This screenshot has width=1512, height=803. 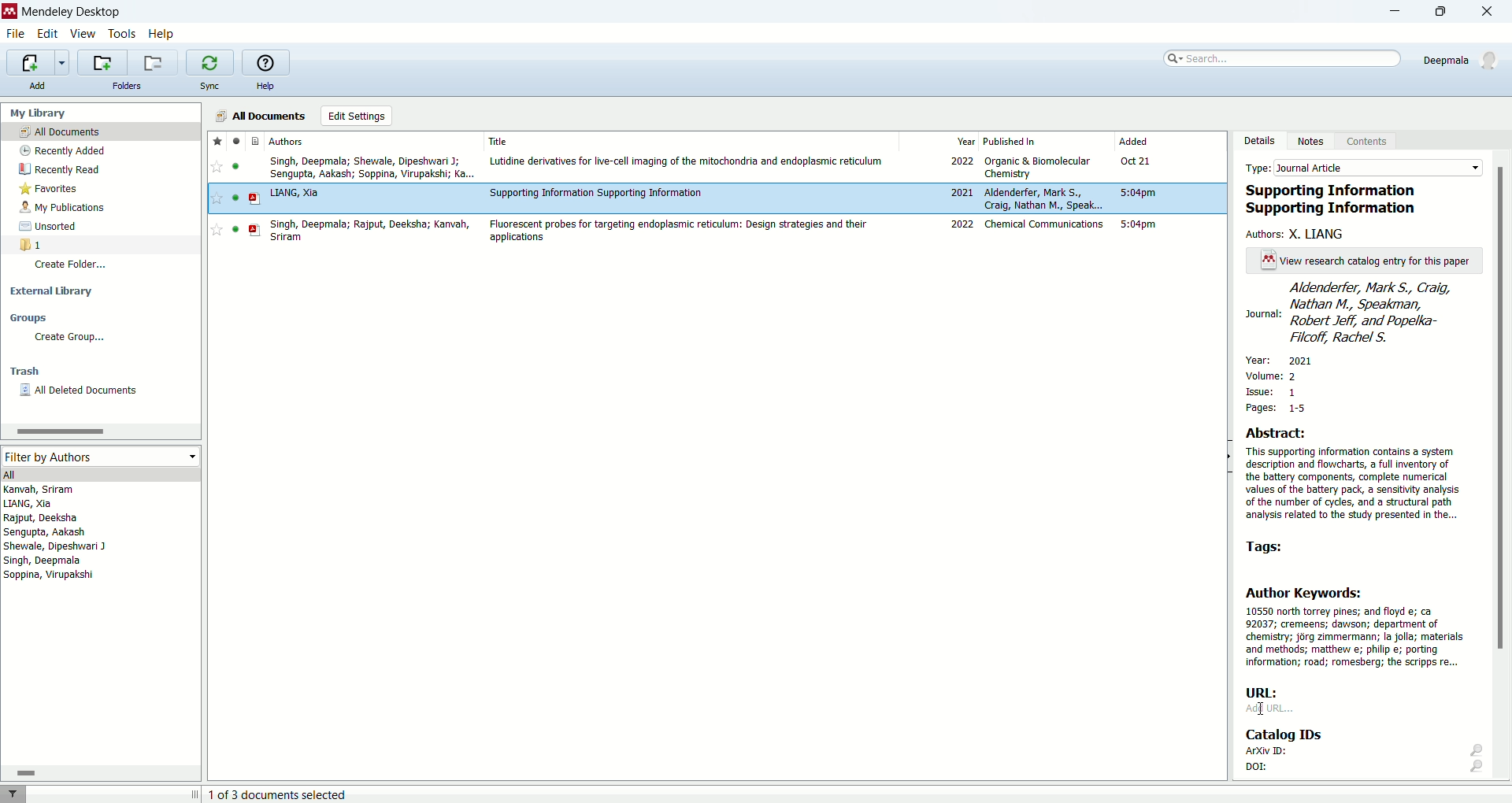 What do you see at coordinates (46, 32) in the screenshot?
I see `edit` at bounding box center [46, 32].